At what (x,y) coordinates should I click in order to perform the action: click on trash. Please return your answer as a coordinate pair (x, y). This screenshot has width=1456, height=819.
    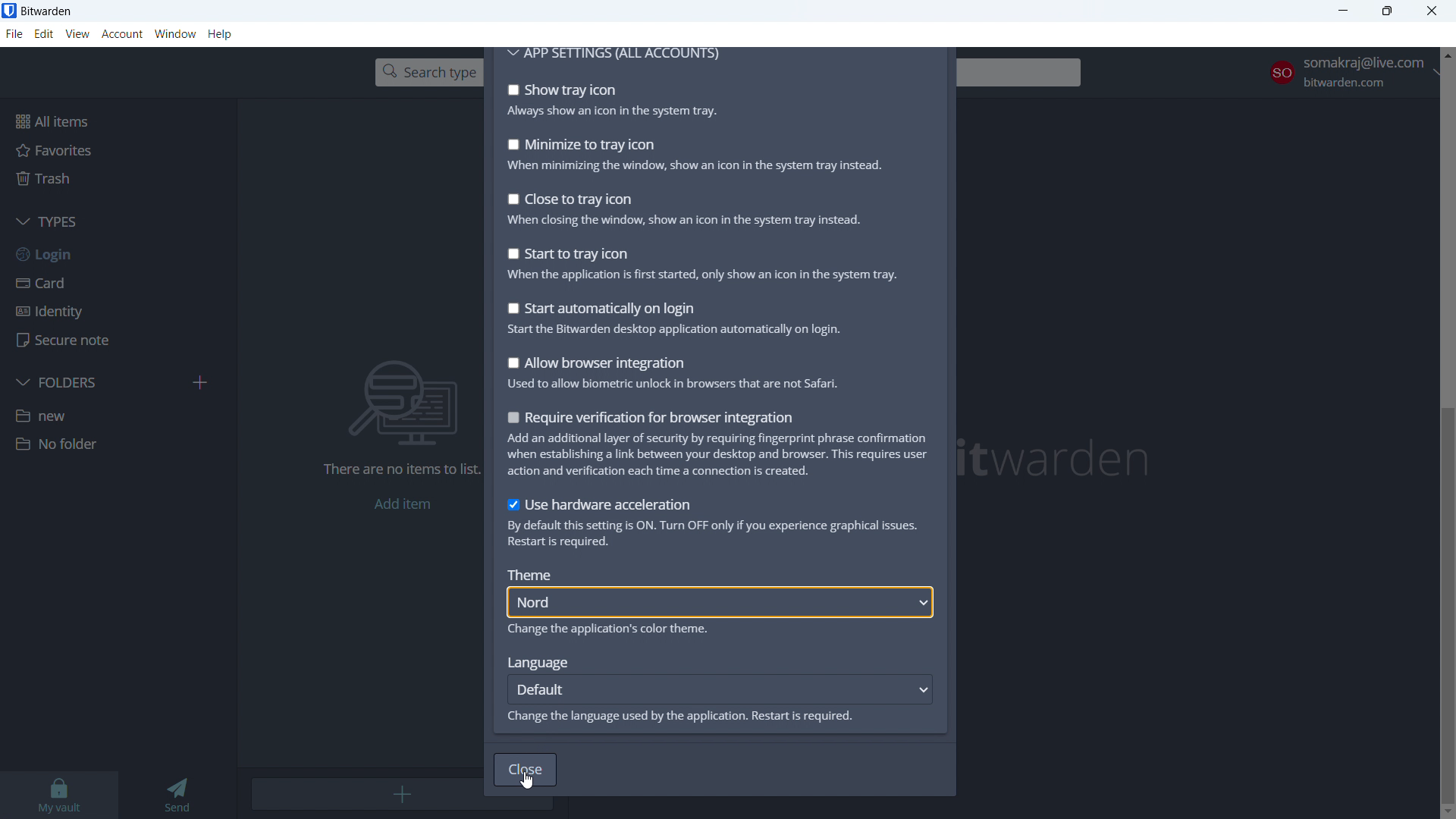
    Looking at the image, I should click on (116, 178).